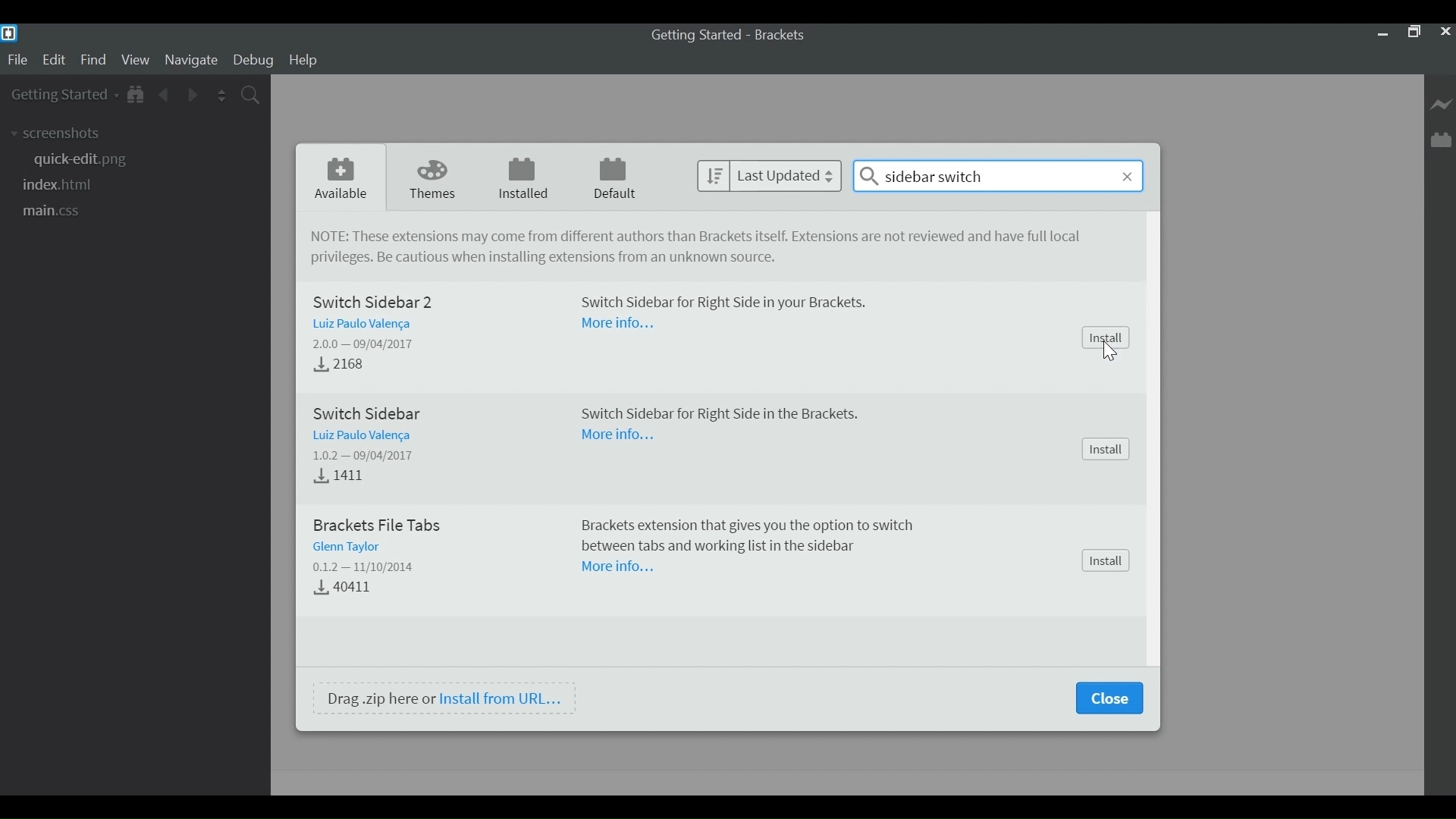 The height and width of the screenshot is (819, 1456). I want to click on 1.0.2 — 09/04/2017, so click(362, 457).